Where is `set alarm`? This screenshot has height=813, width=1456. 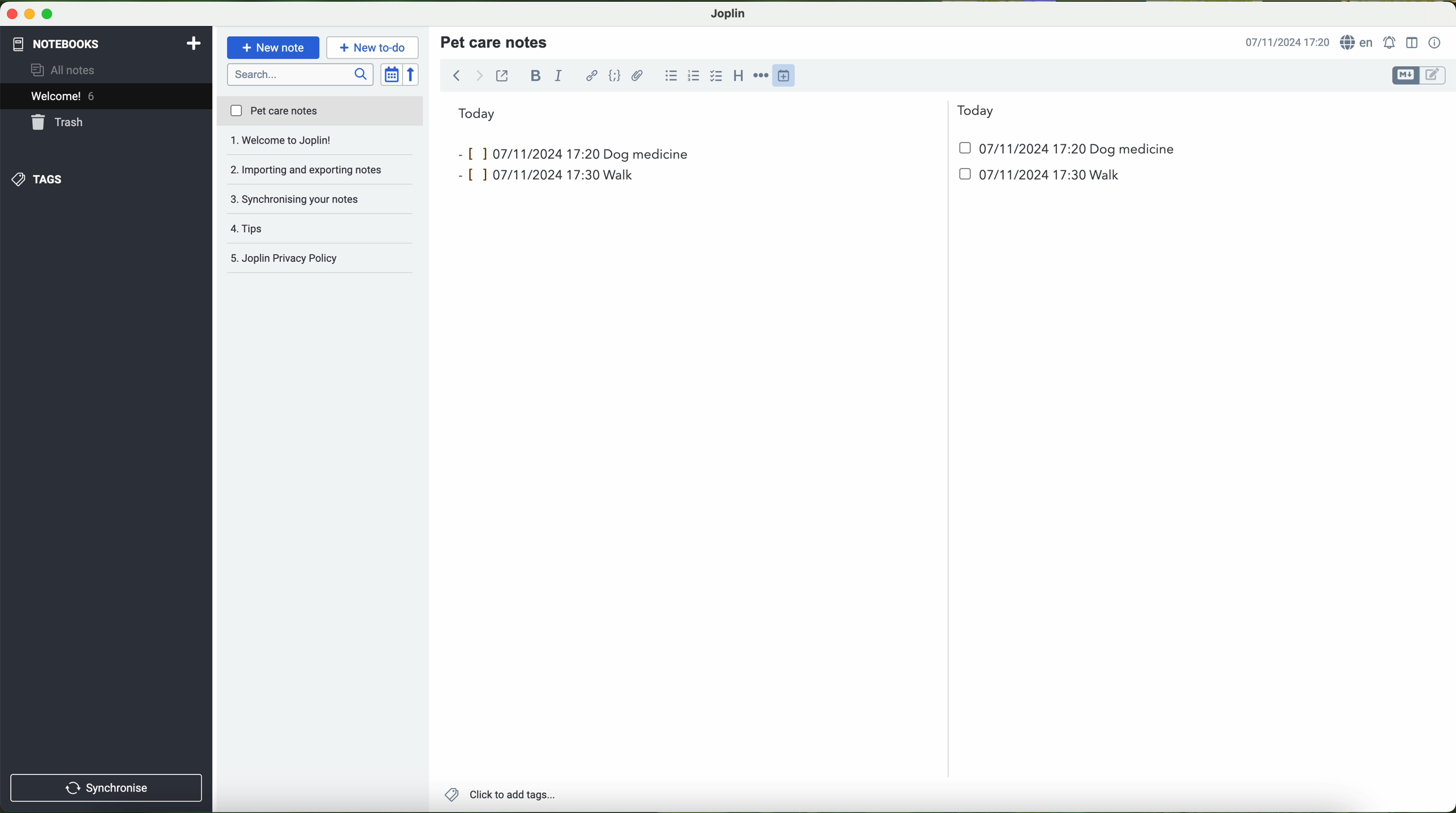 set alarm is located at coordinates (1391, 42).